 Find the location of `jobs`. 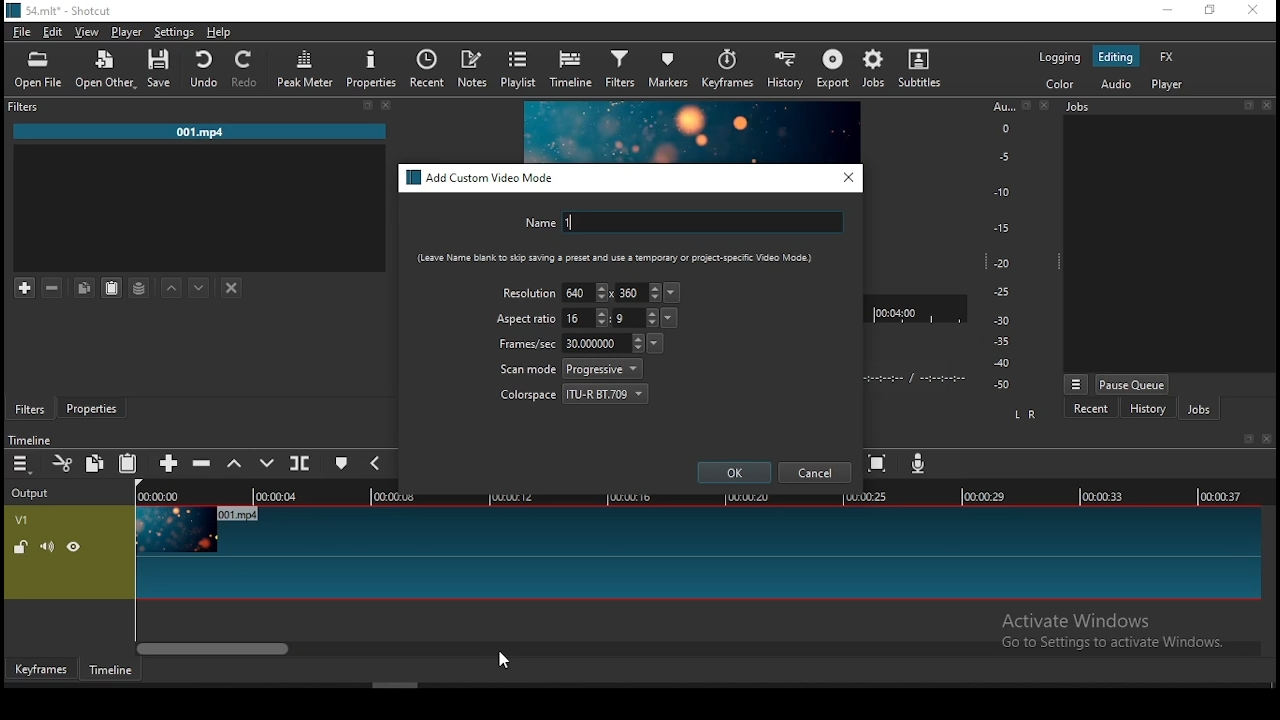

jobs is located at coordinates (1199, 410).